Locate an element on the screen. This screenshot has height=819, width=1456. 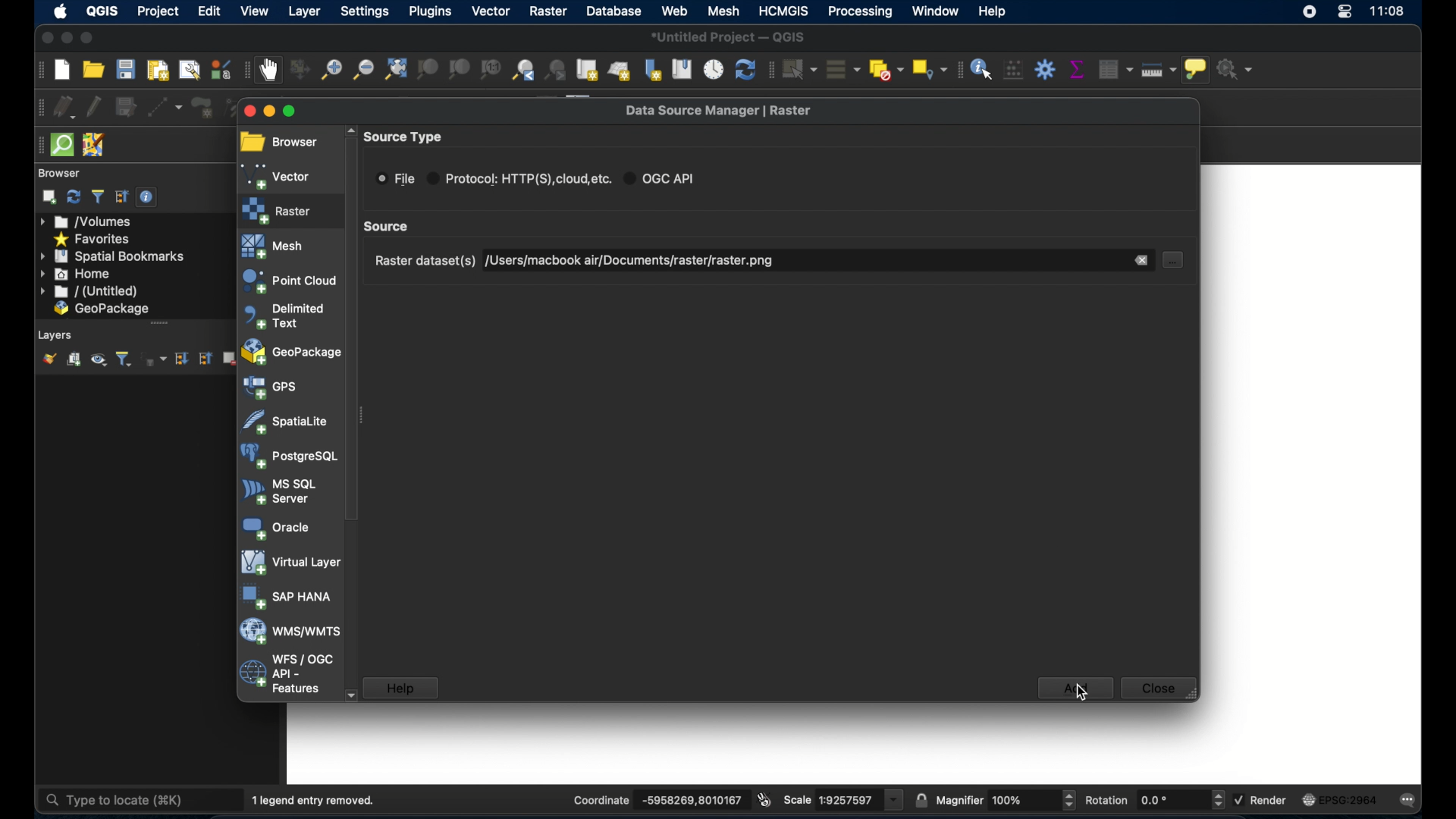
add is located at coordinates (1073, 688).